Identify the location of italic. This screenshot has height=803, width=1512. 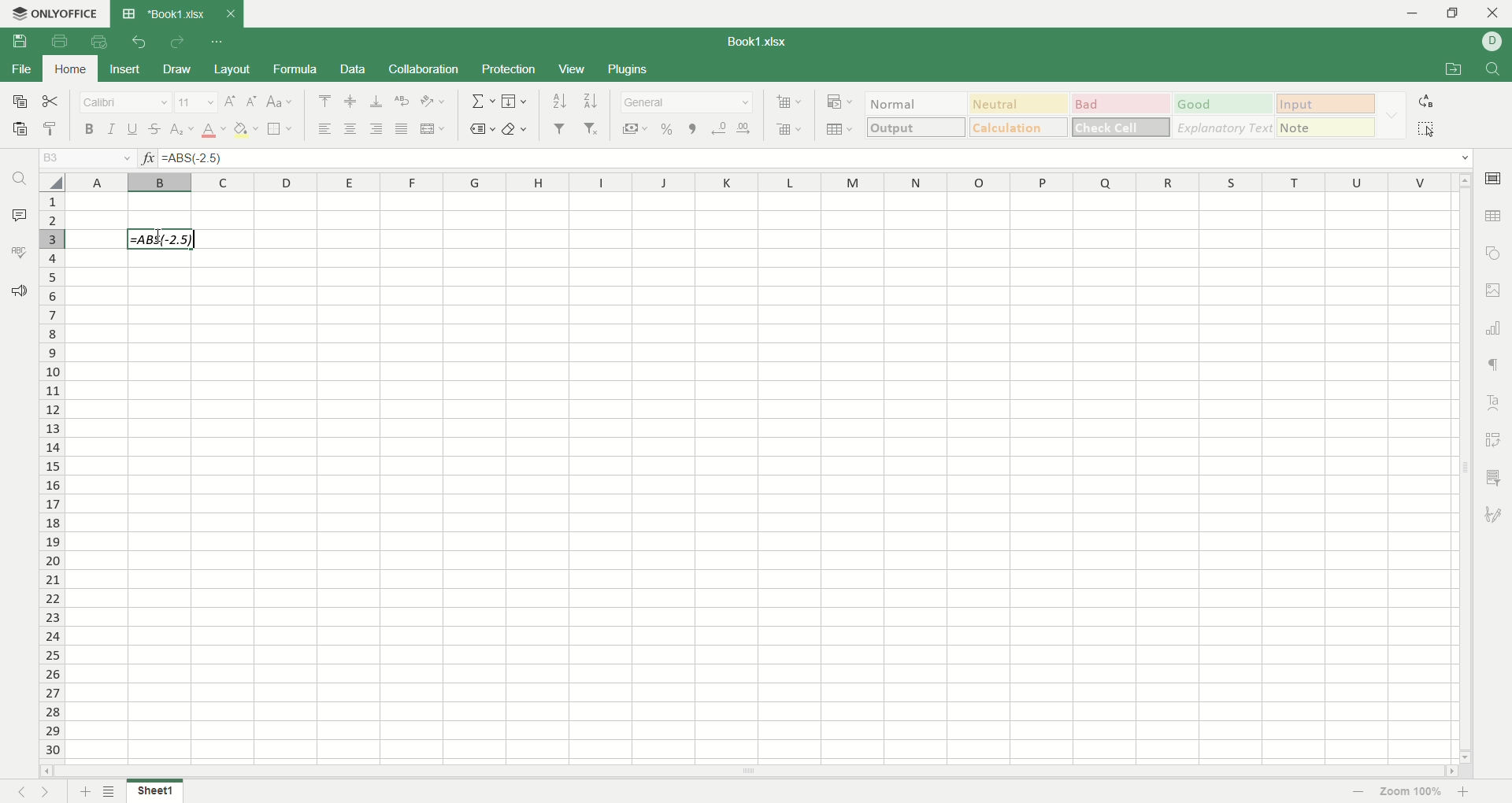
(112, 128).